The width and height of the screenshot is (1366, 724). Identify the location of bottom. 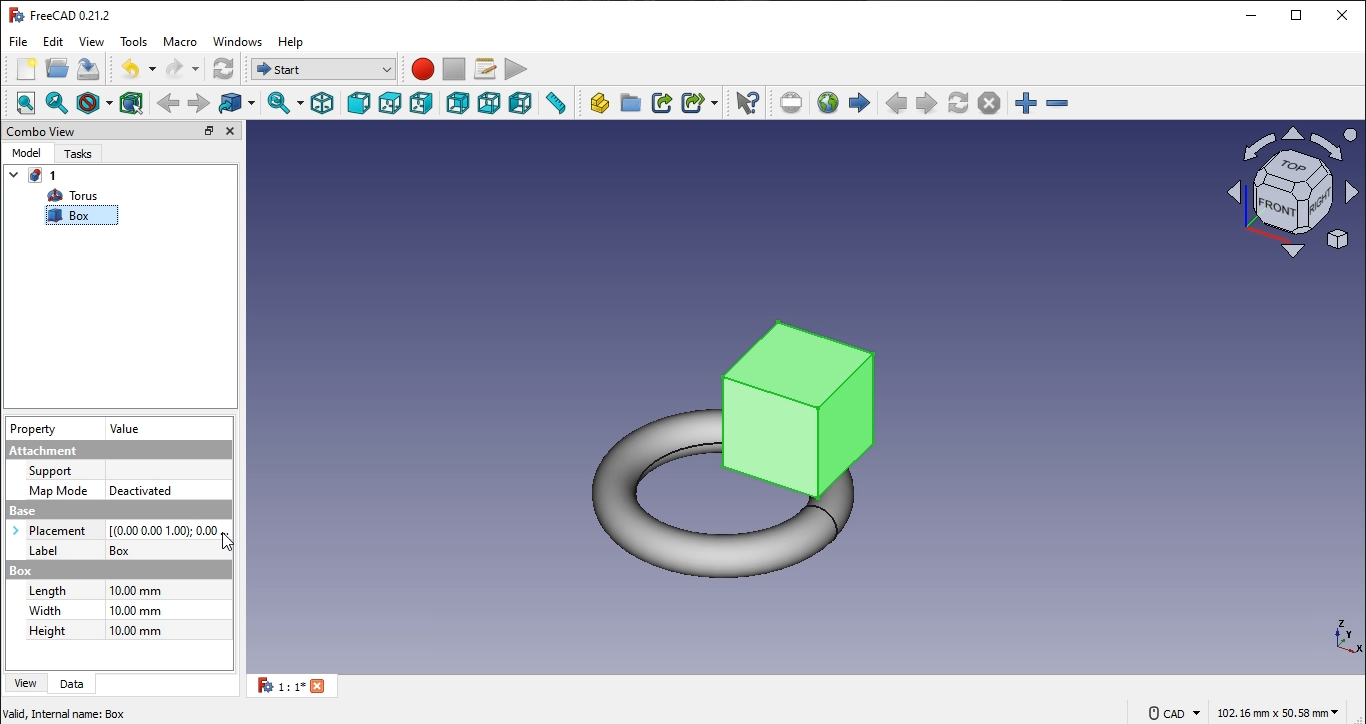
(487, 104).